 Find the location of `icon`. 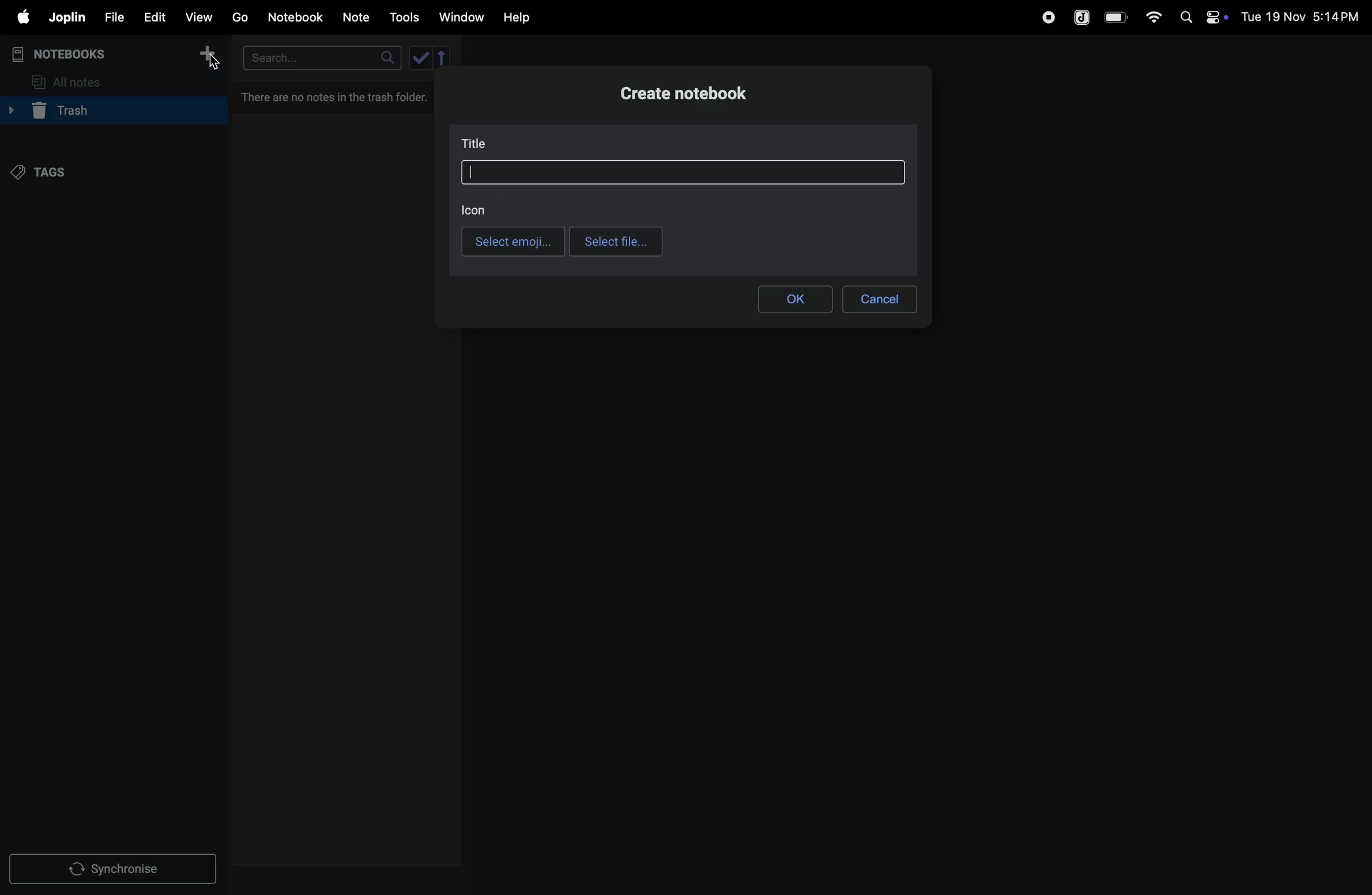

icon is located at coordinates (480, 209).